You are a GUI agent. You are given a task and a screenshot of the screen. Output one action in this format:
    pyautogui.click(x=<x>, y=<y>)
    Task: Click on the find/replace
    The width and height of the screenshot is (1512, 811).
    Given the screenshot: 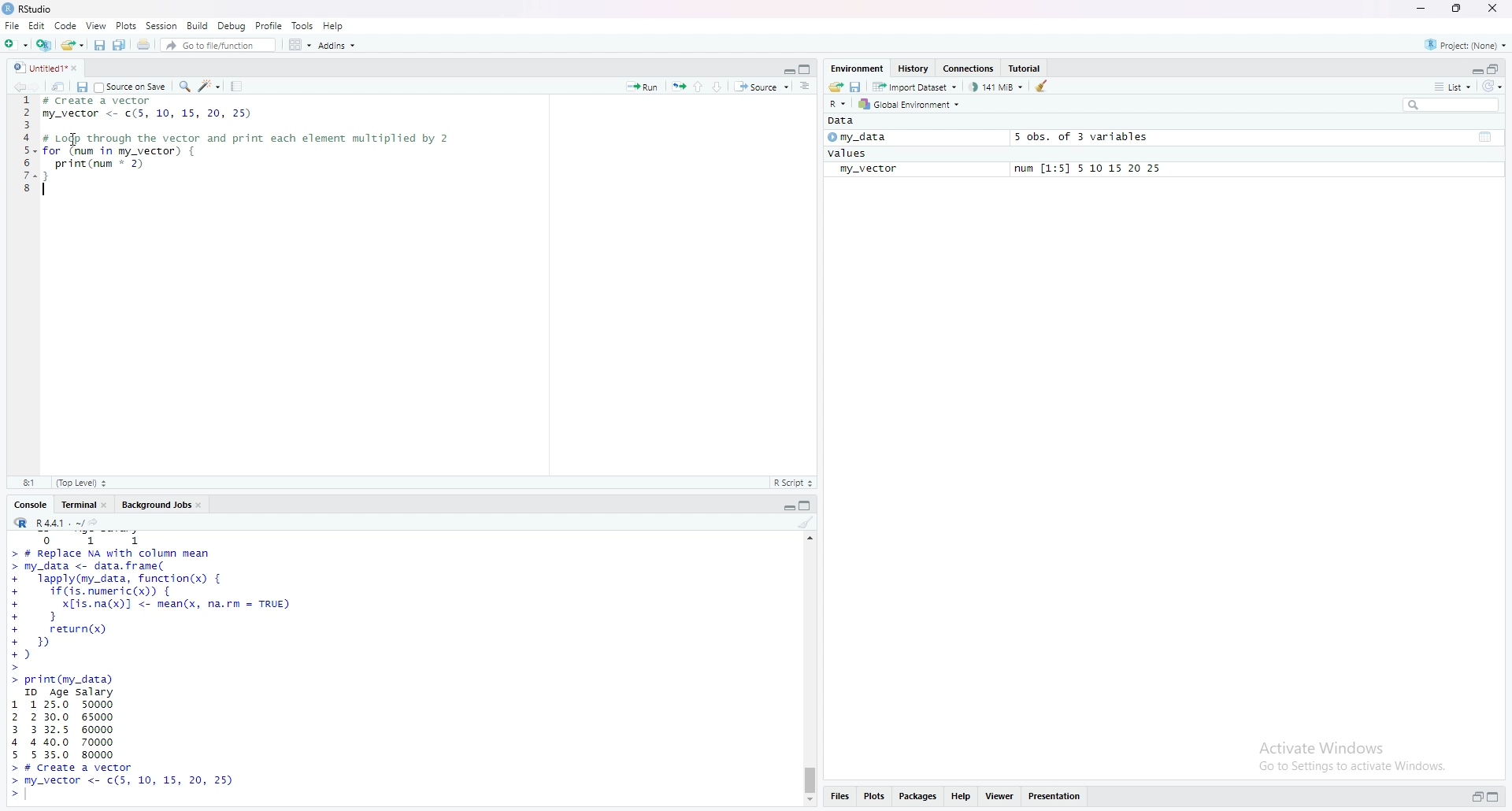 What is the action you would take?
    pyautogui.click(x=186, y=87)
    